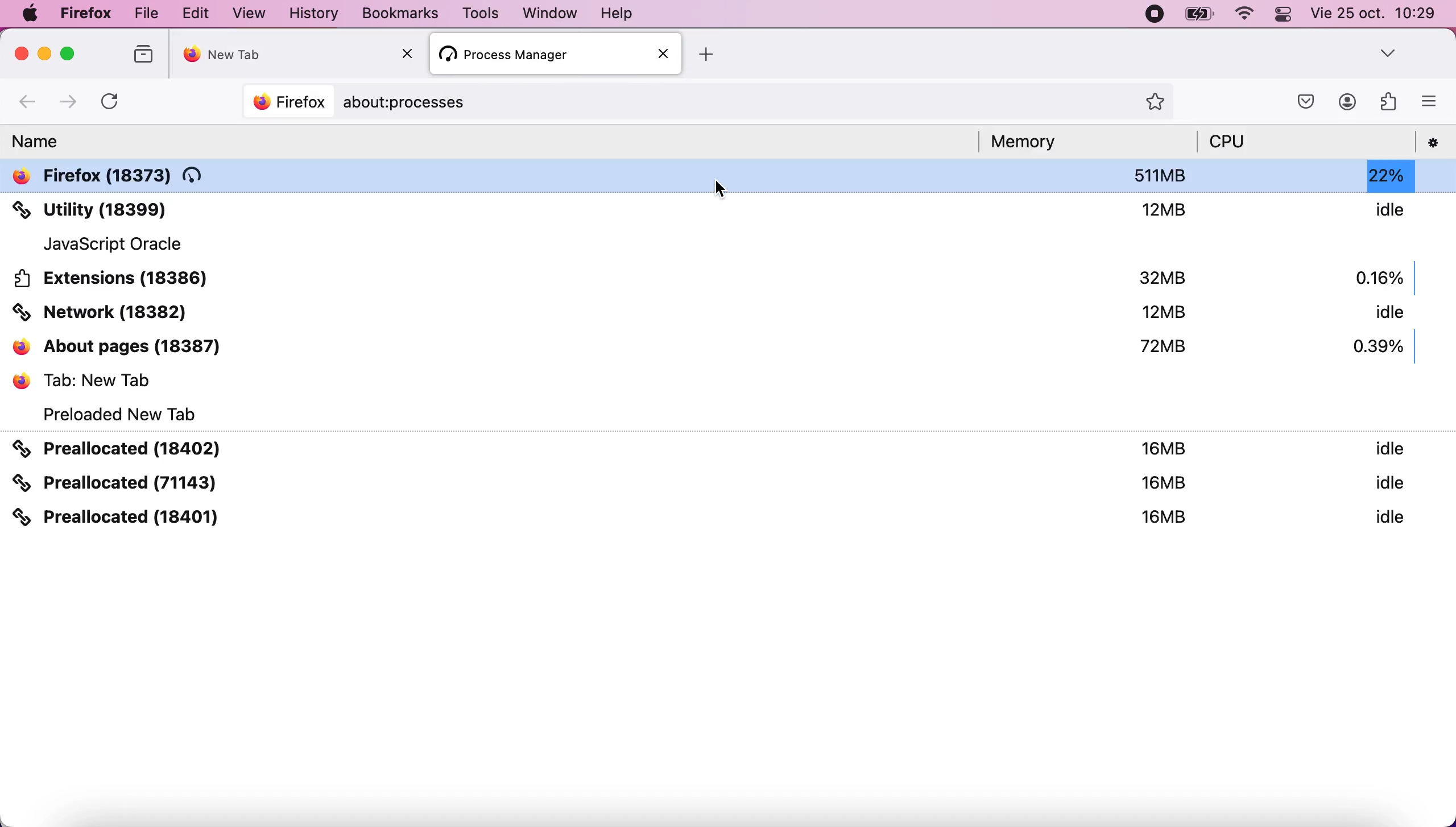  I want to click on Move backward, so click(28, 103).